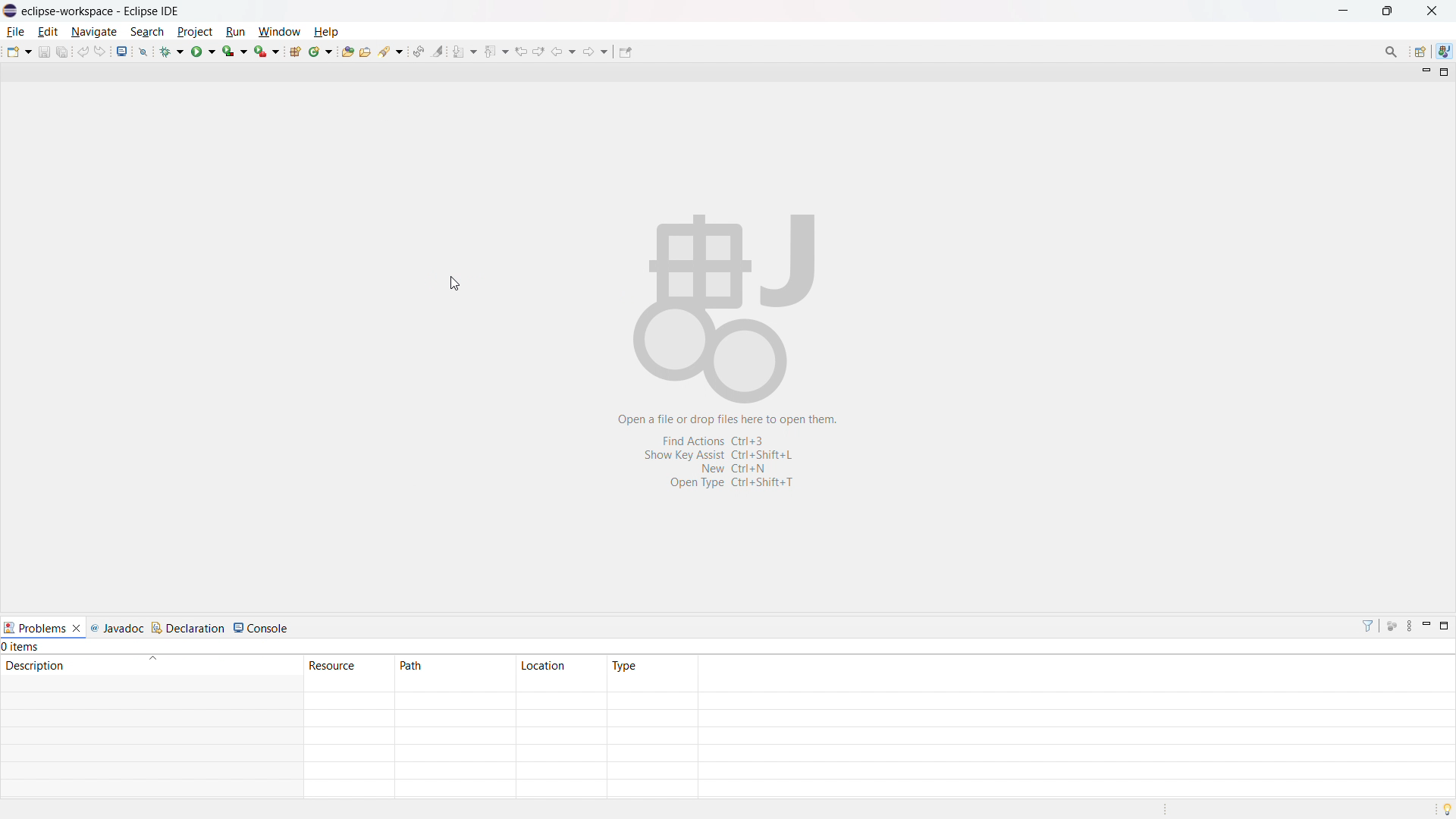  I want to click on pin editor, so click(626, 53).